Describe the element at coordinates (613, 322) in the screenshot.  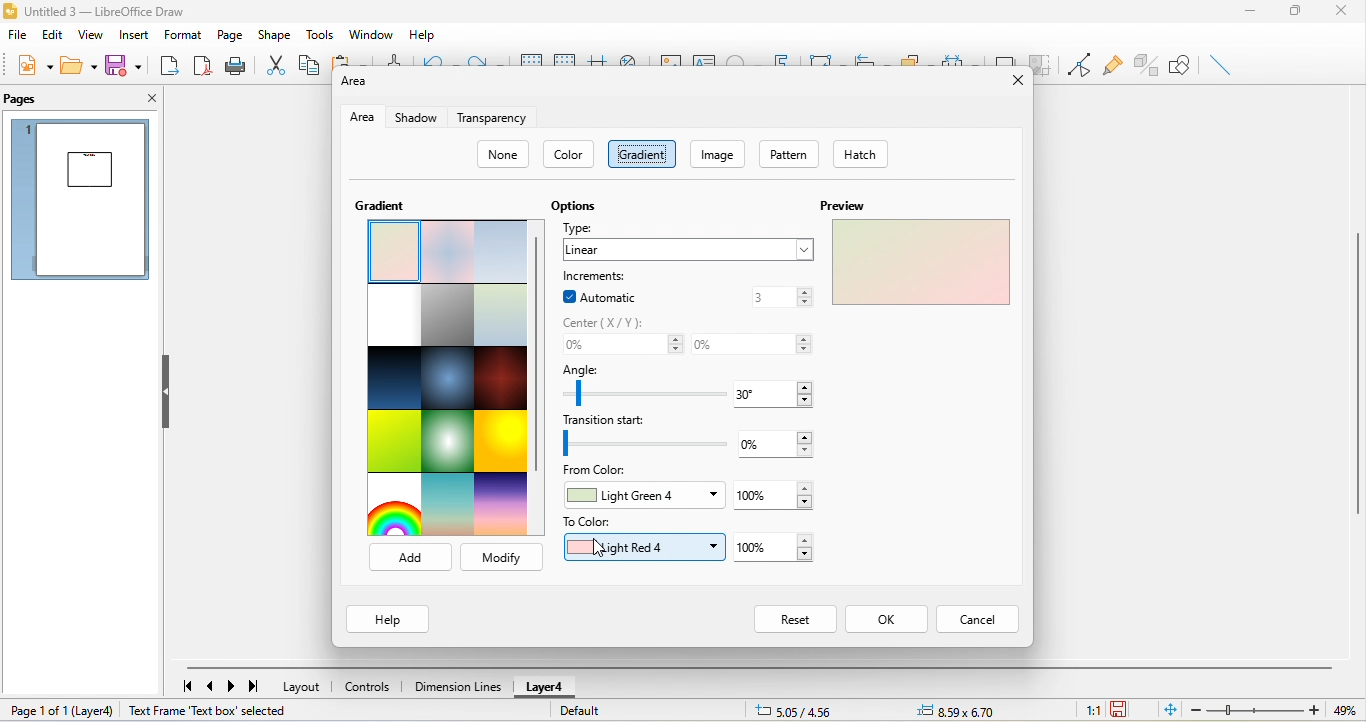
I see `center (x/y)` at that location.